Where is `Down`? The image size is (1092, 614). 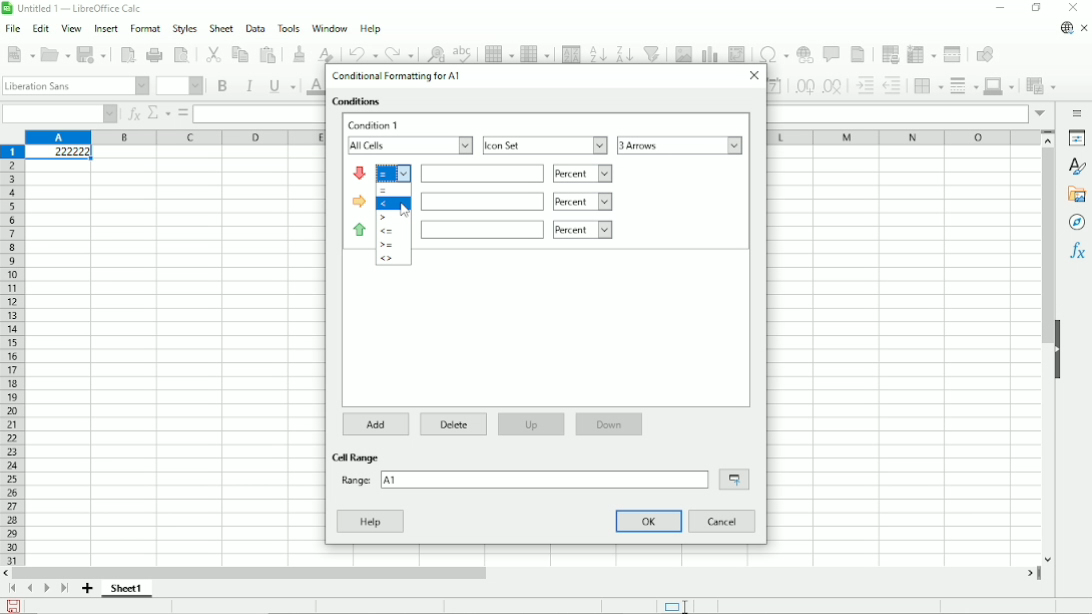 Down is located at coordinates (609, 424).